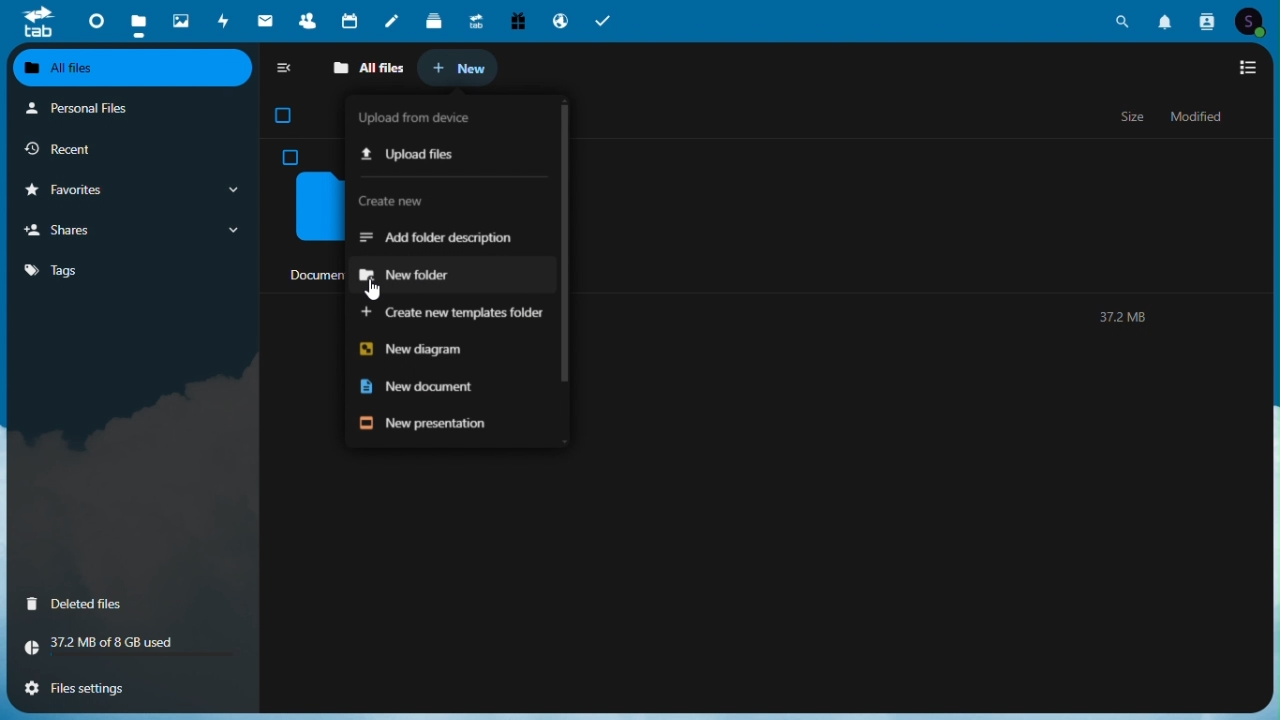  Describe the element at coordinates (406, 201) in the screenshot. I see `Create new` at that location.